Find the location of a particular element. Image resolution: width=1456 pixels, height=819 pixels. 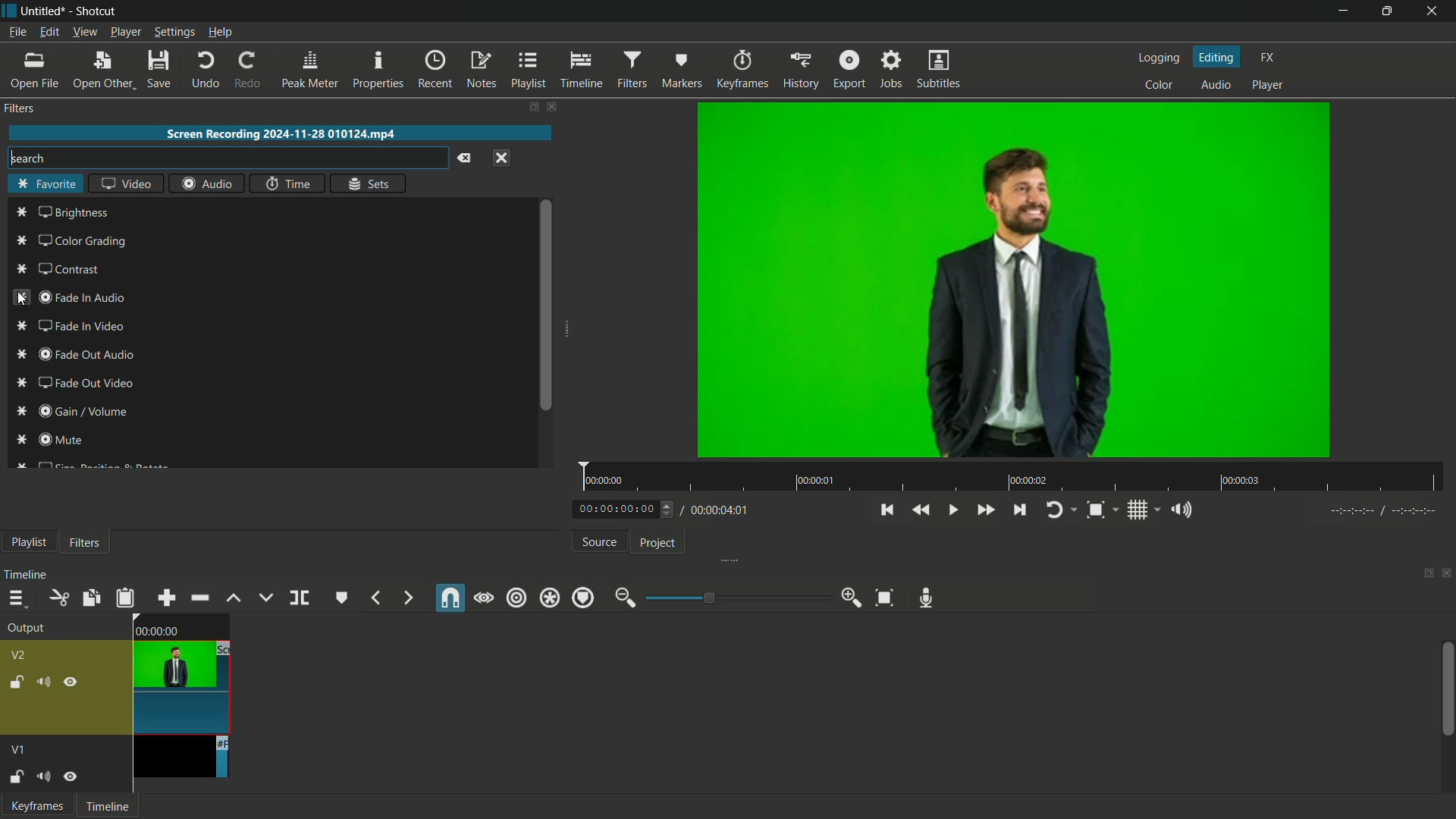

hide is located at coordinates (70, 776).